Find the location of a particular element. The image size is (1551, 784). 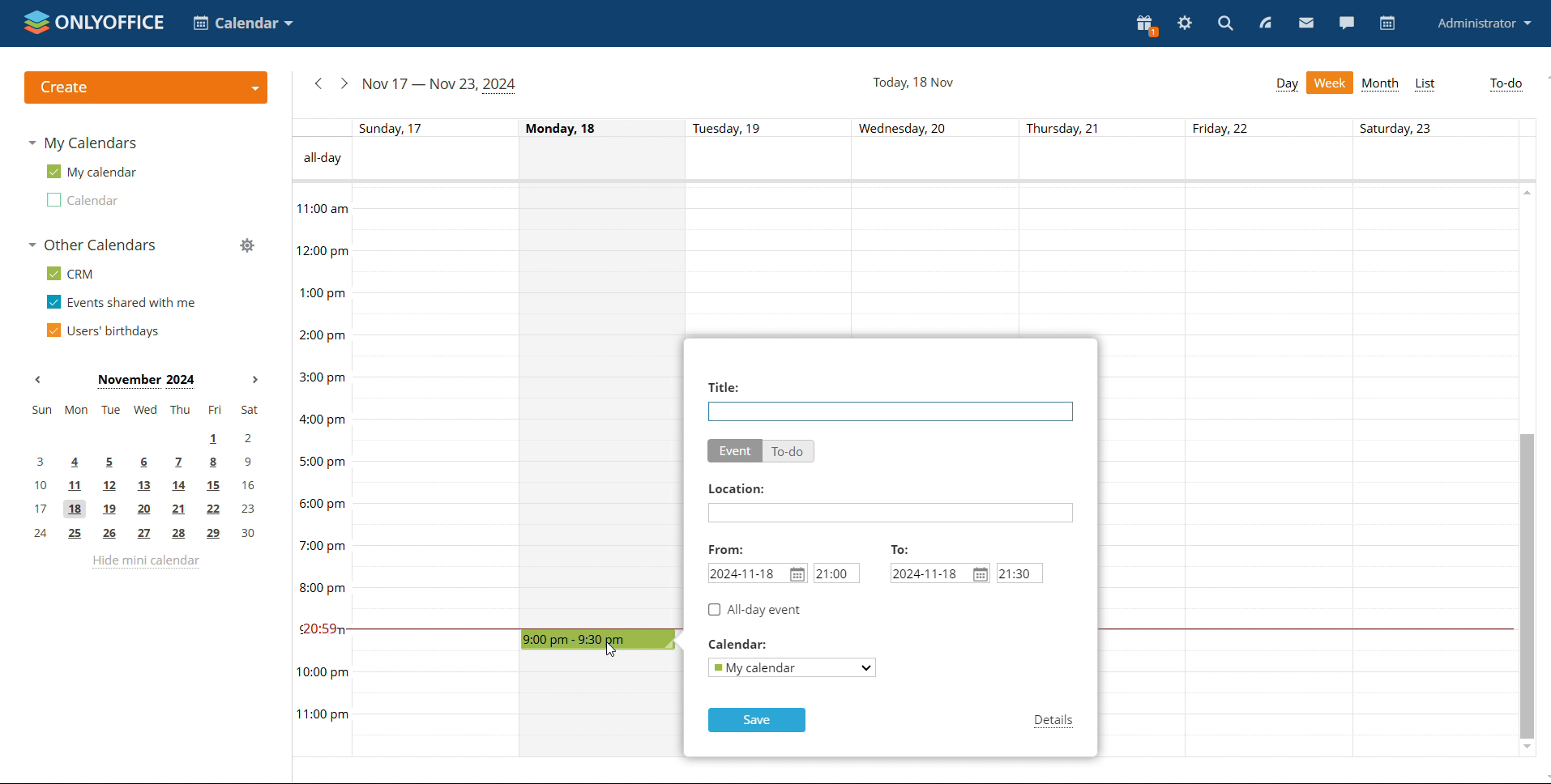

All-day is located at coordinates (321, 159).